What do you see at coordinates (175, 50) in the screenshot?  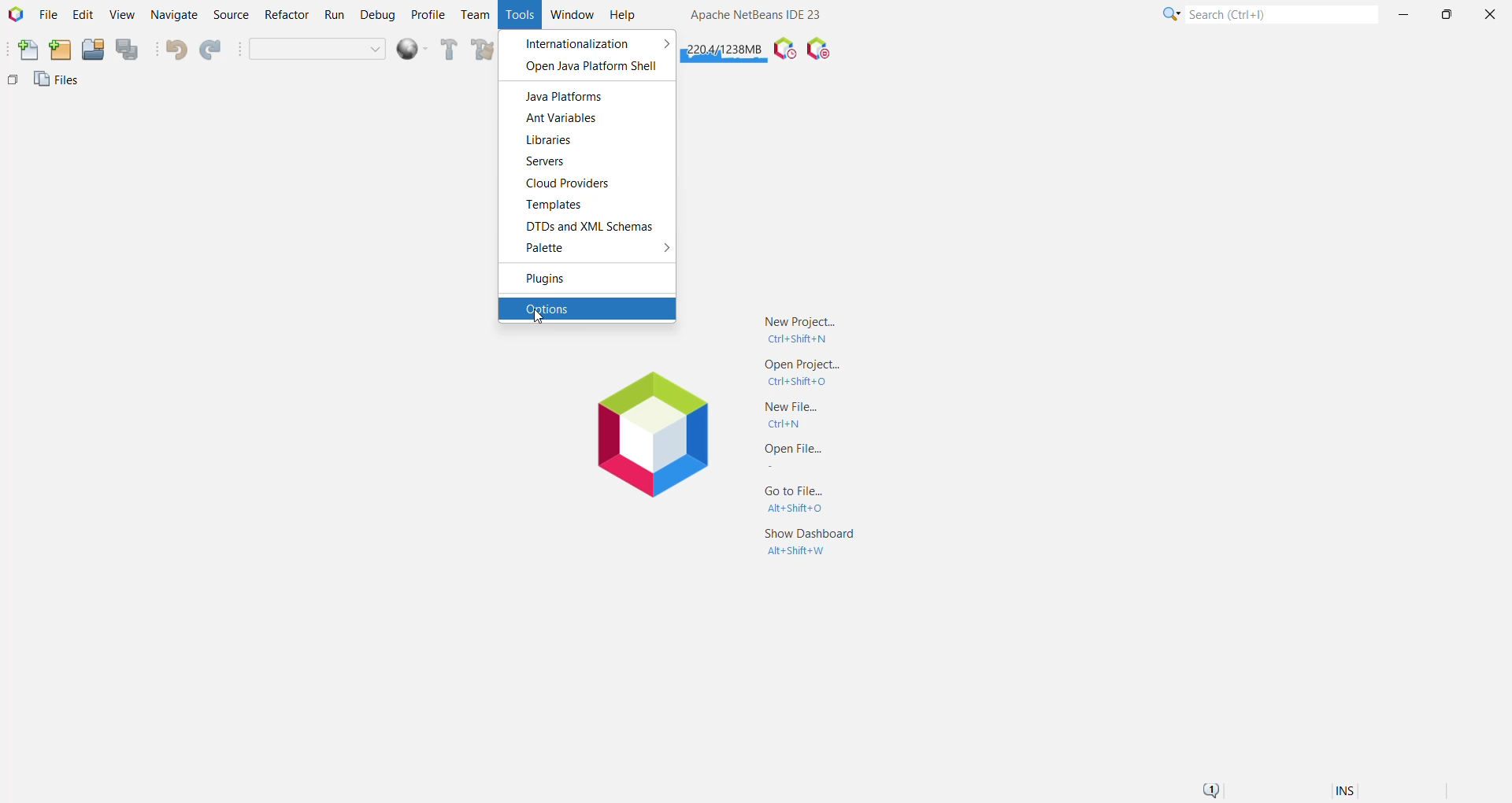 I see `Undo` at bounding box center [175, 50].